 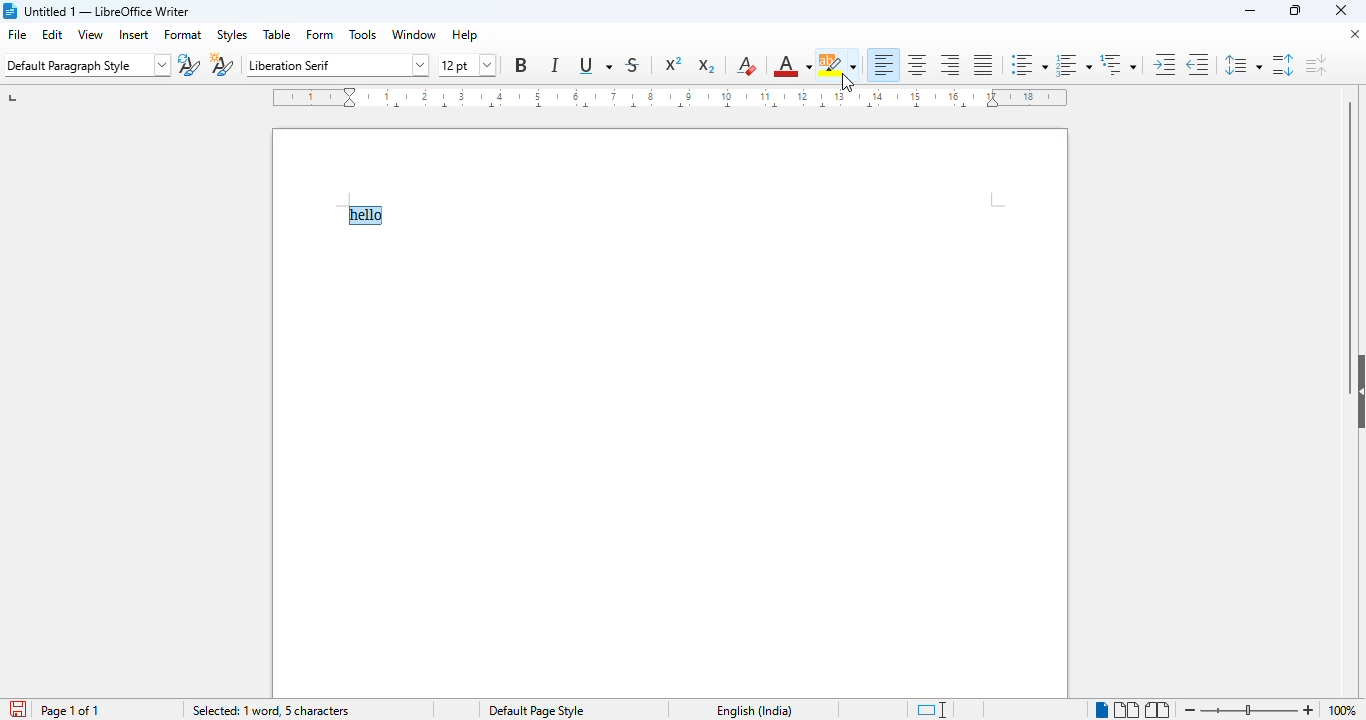 I want to click on decrease paragraph spacing, so click(x=1316, y=65).